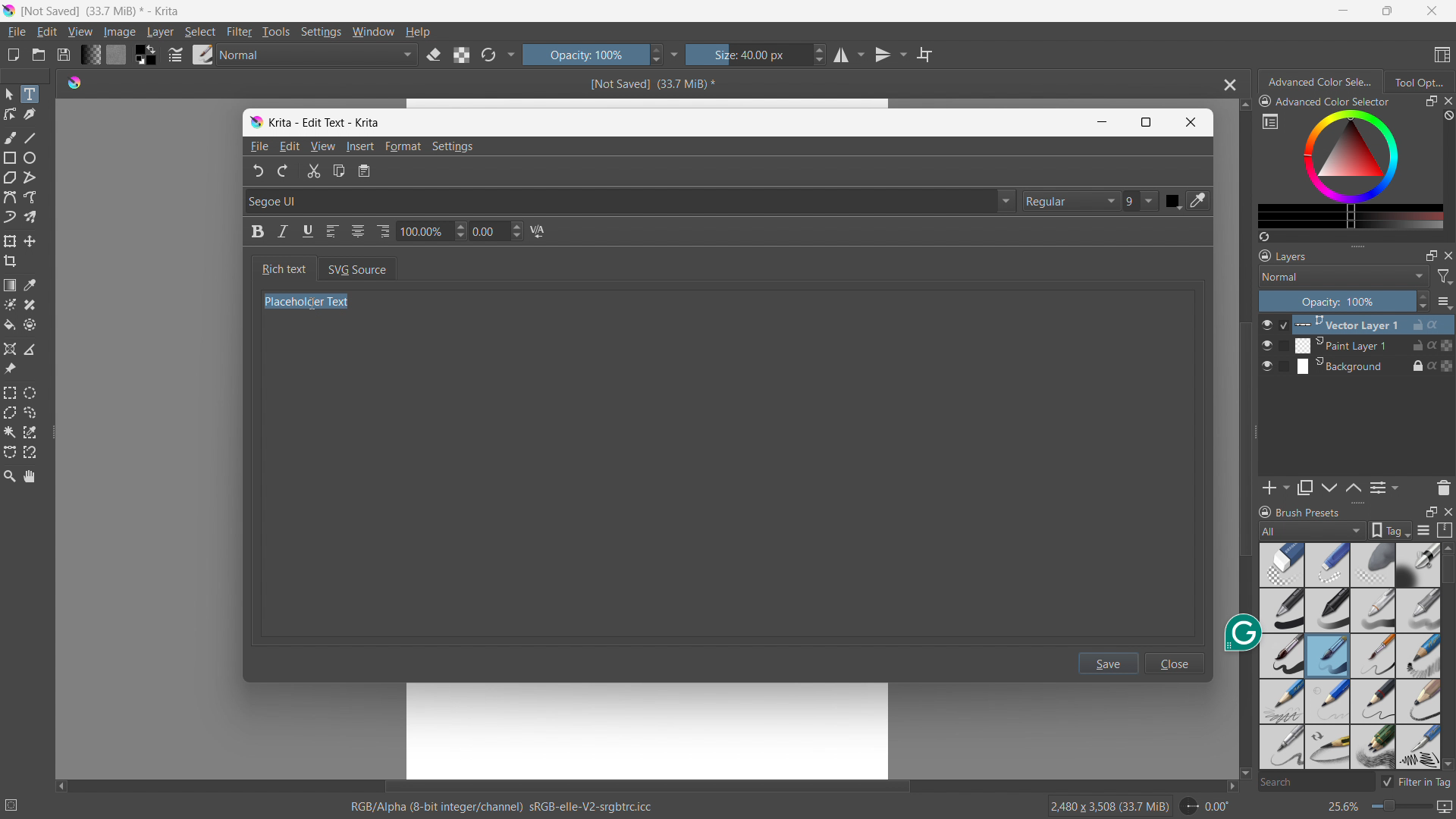 Image resolution: width=1456 pixels, height=819 pixels. What do you see at coordinates (1299, 511) in the screenshot?
I see `brush presets` at bounding box center [1299, 511].